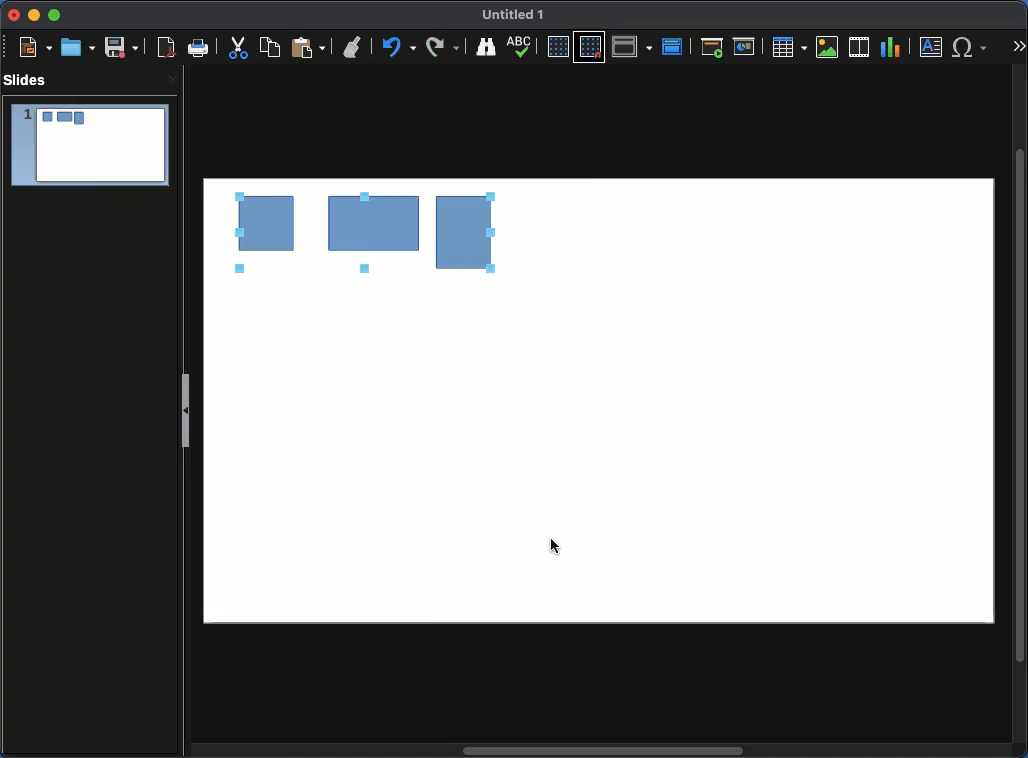 The image size is (1028, 758). Describe the element at coordinates (859, 46) in the screenshot. I see `Insert audio or video` at that location.